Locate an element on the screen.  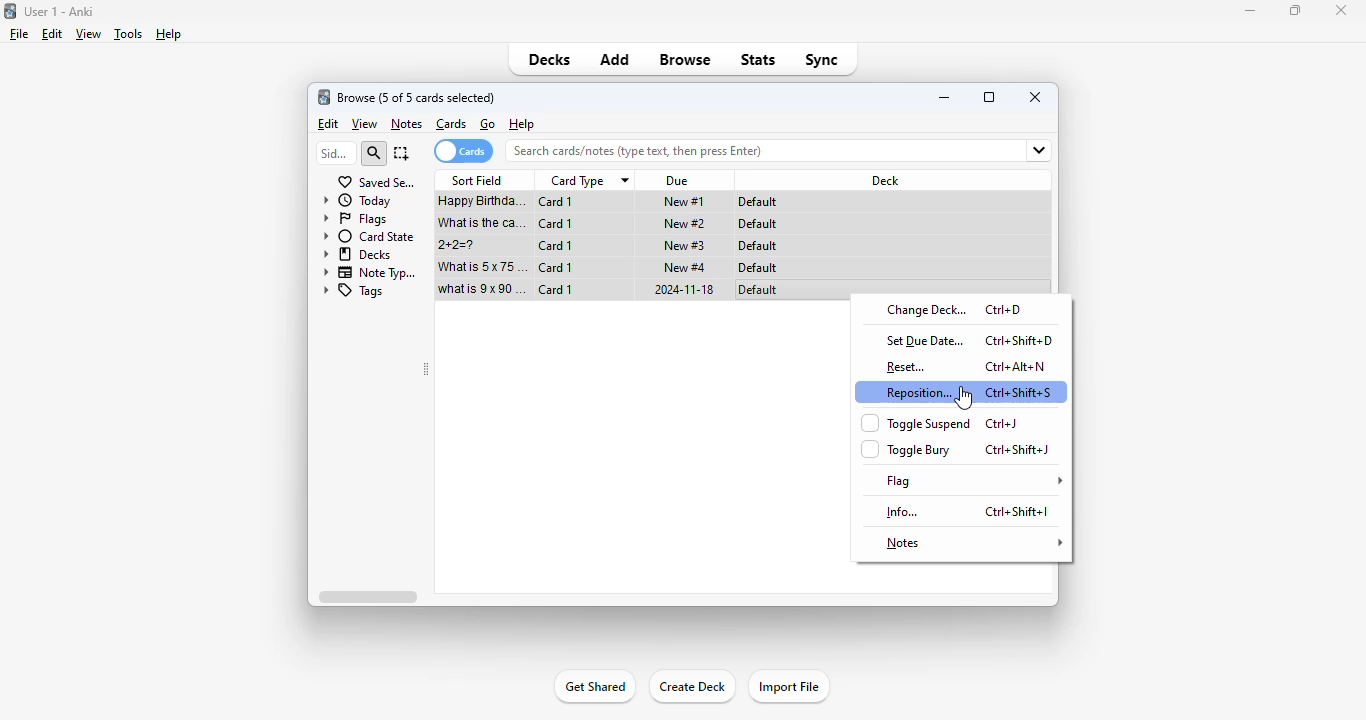
close is located at coordinates (1036, 96).